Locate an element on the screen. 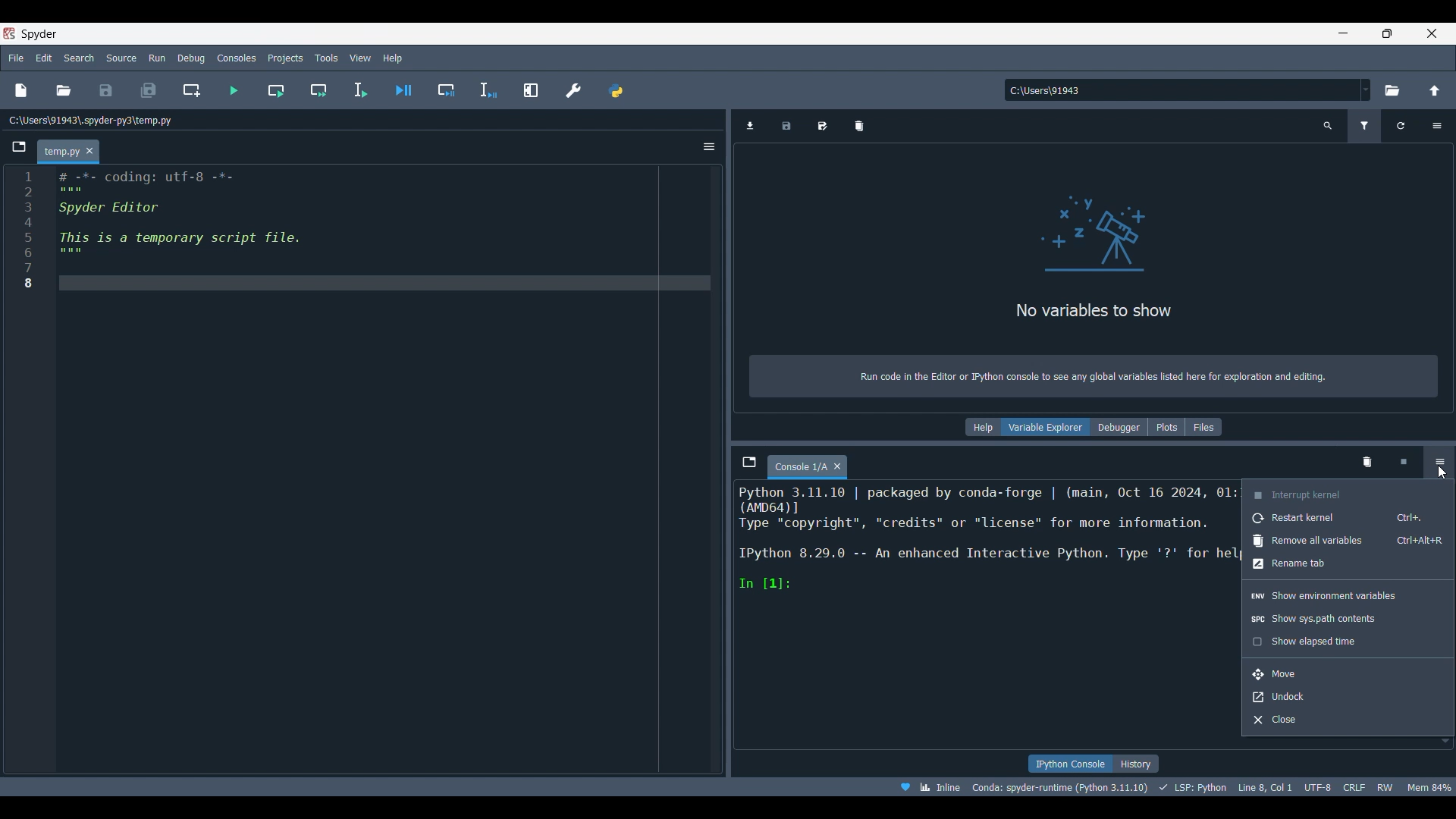  Input folder location is located at coordinates (1181, 89).